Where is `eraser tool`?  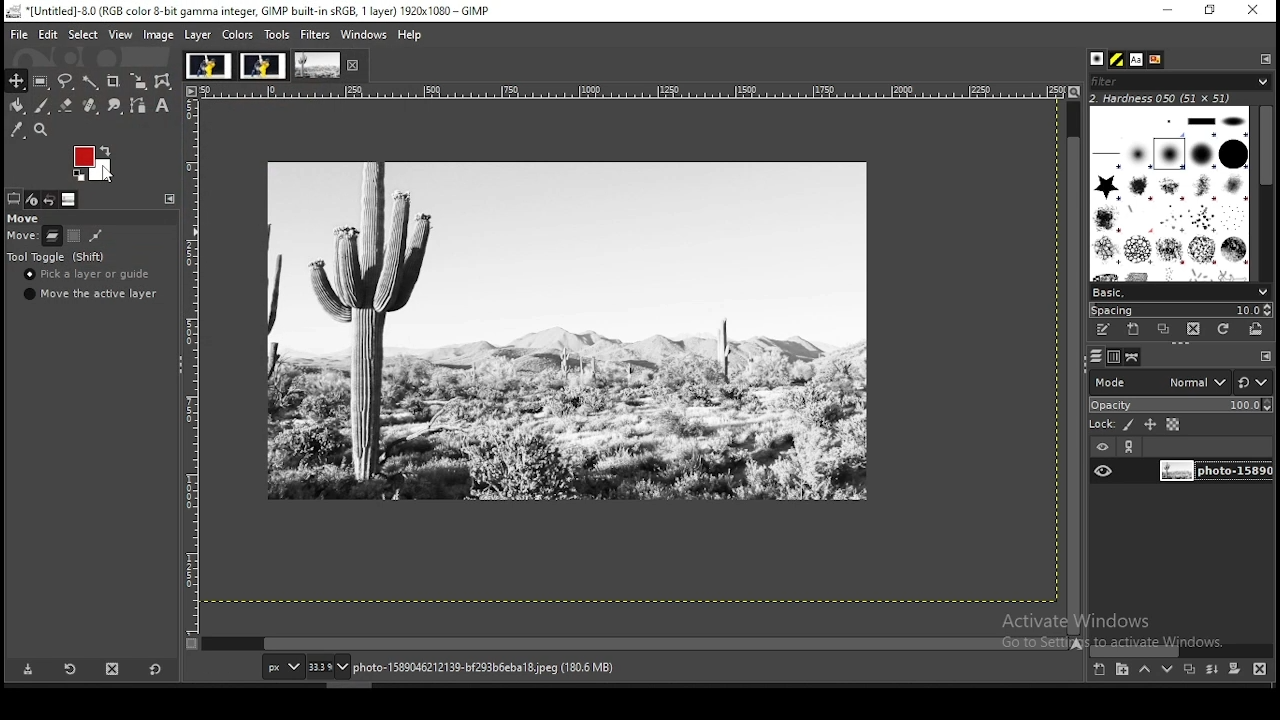 eraser tool is located at coordinates (67, 106).